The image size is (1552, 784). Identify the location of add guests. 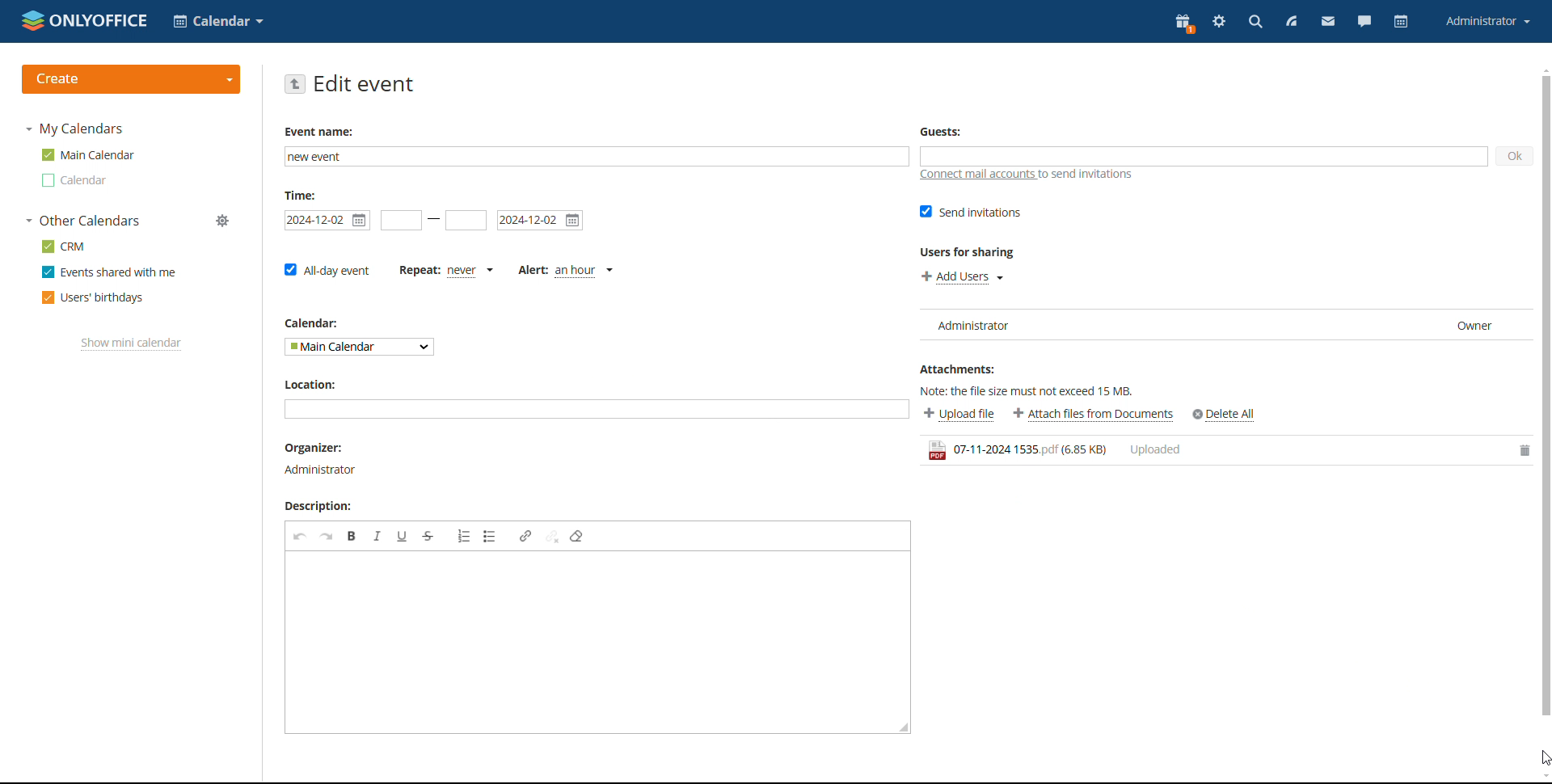
(1202, 156).